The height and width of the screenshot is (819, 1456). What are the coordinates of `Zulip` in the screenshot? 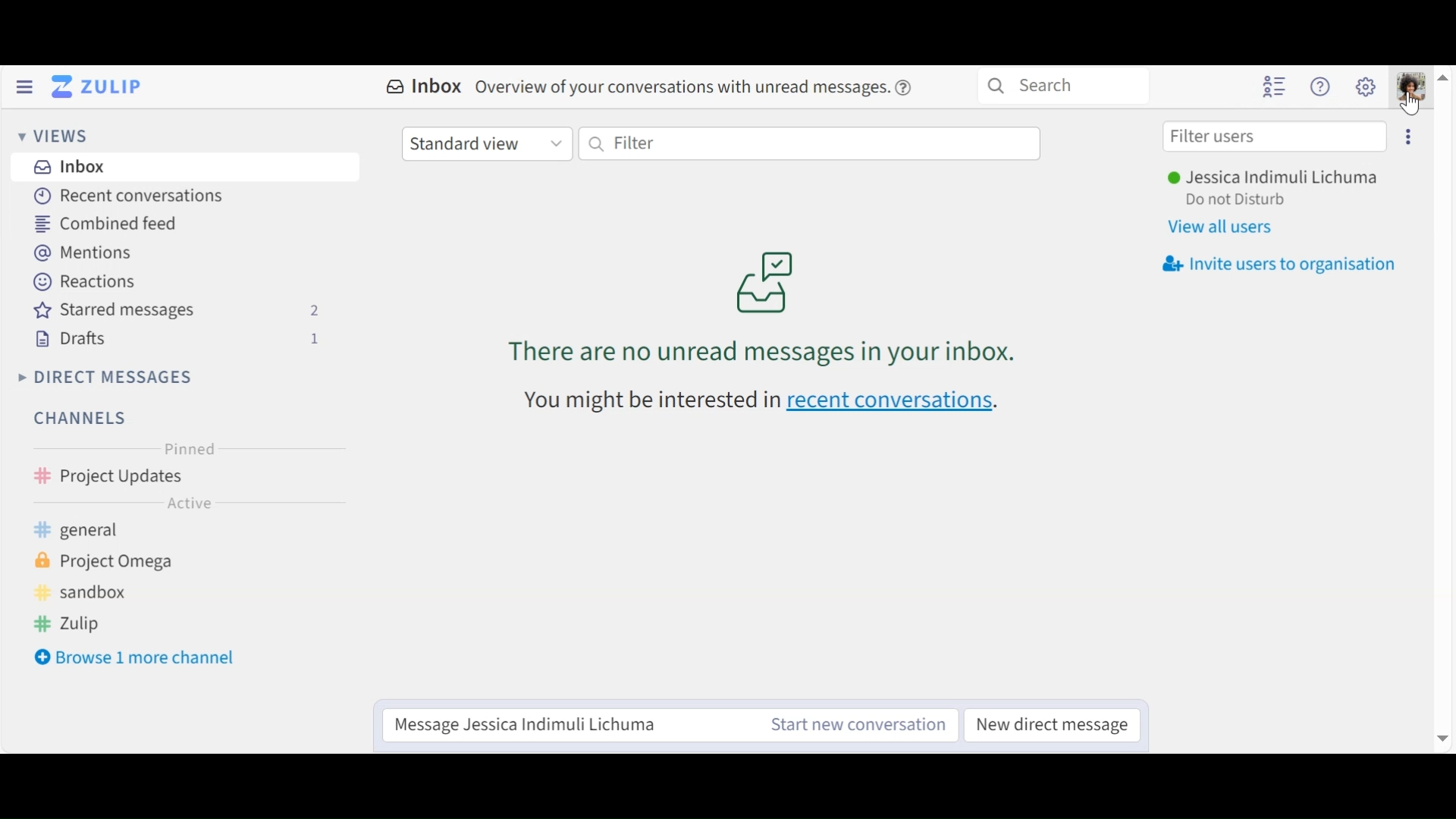 It's located at (91, 623).